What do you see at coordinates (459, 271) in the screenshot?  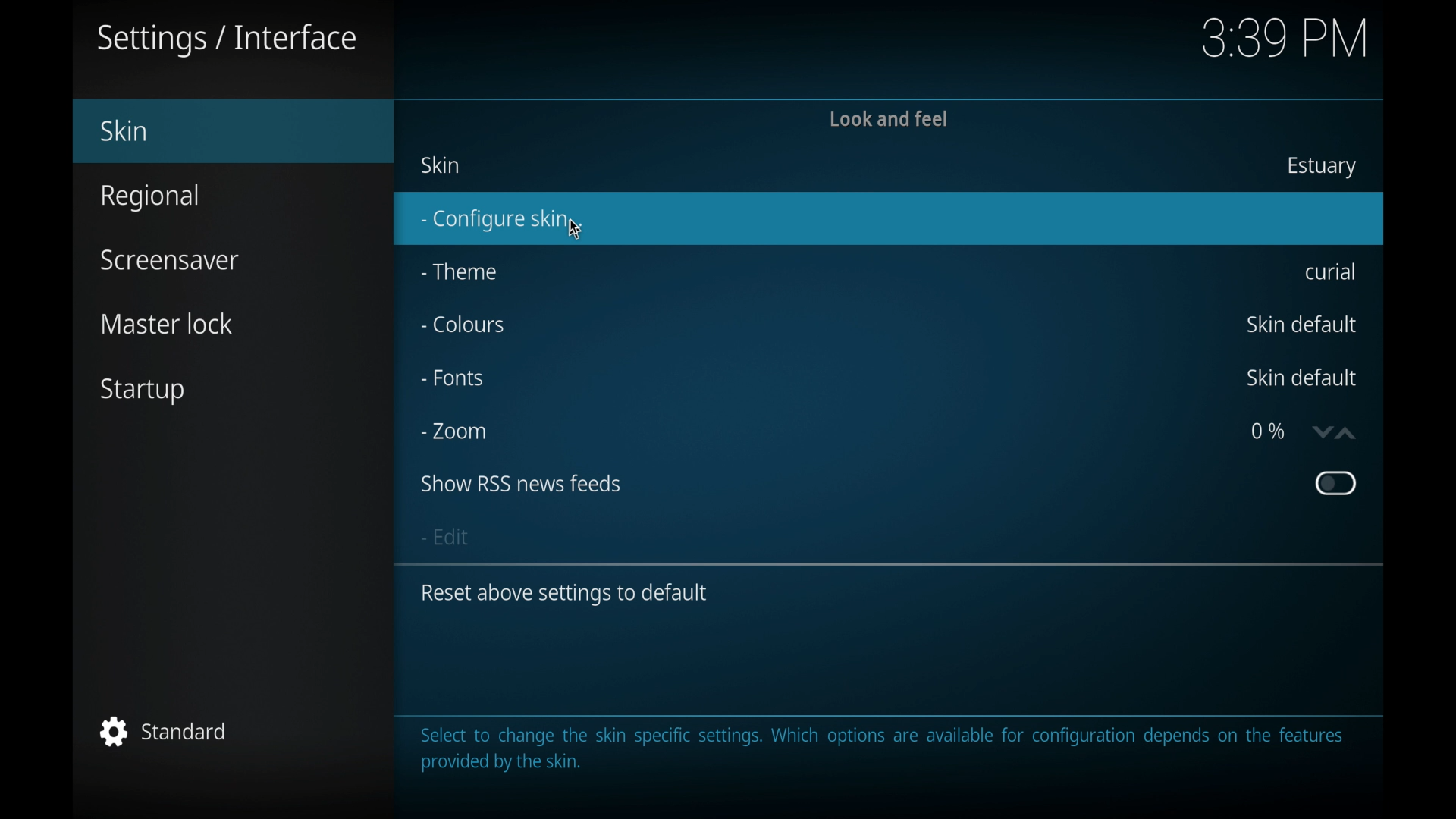 I see `theme` at bounding box center [459, 271].